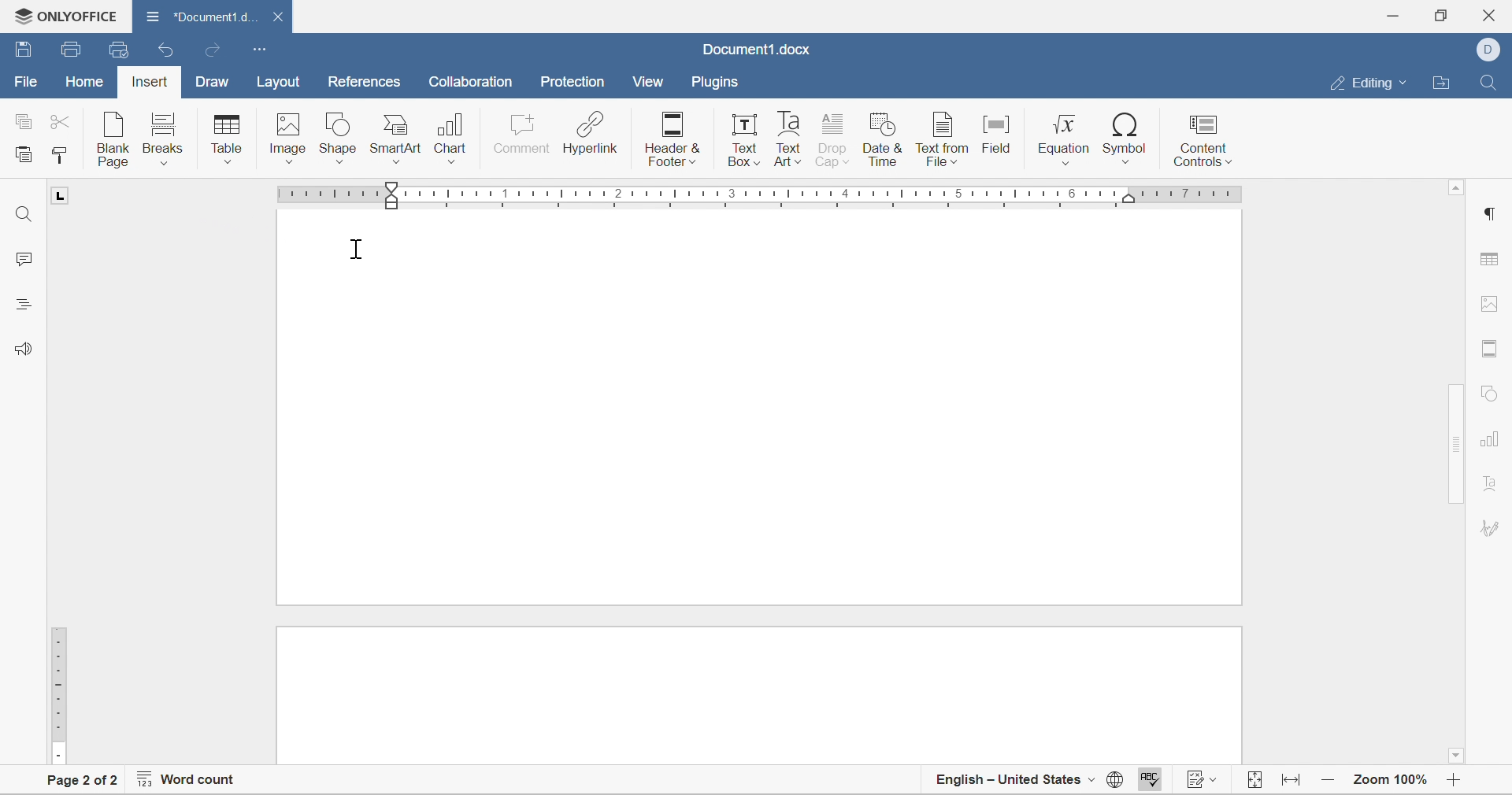  Describe the element at coordinates (287, 142) in the screenshot. I see `image` at that location.